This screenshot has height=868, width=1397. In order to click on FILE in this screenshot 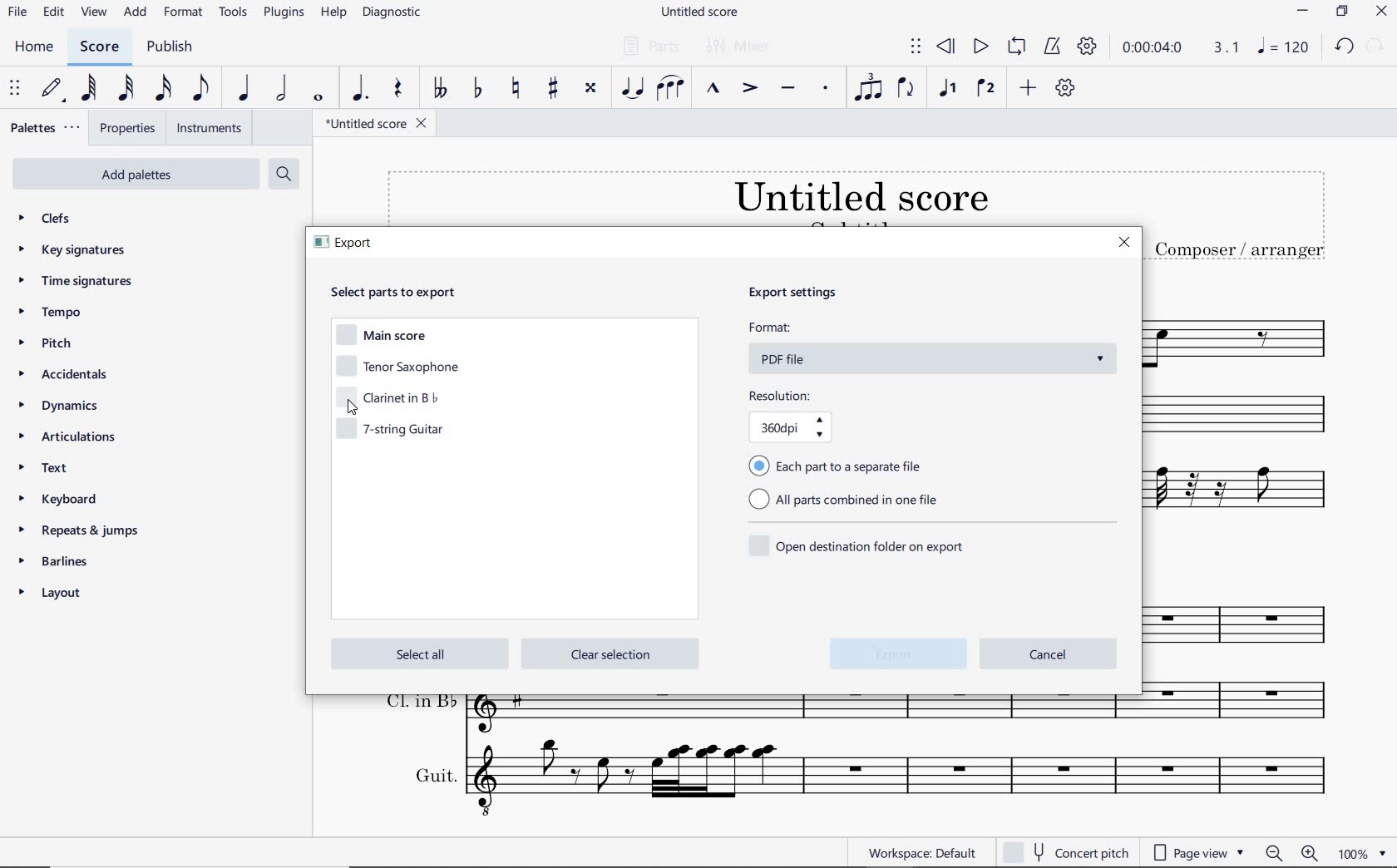, I will do `click(17, 13)`.